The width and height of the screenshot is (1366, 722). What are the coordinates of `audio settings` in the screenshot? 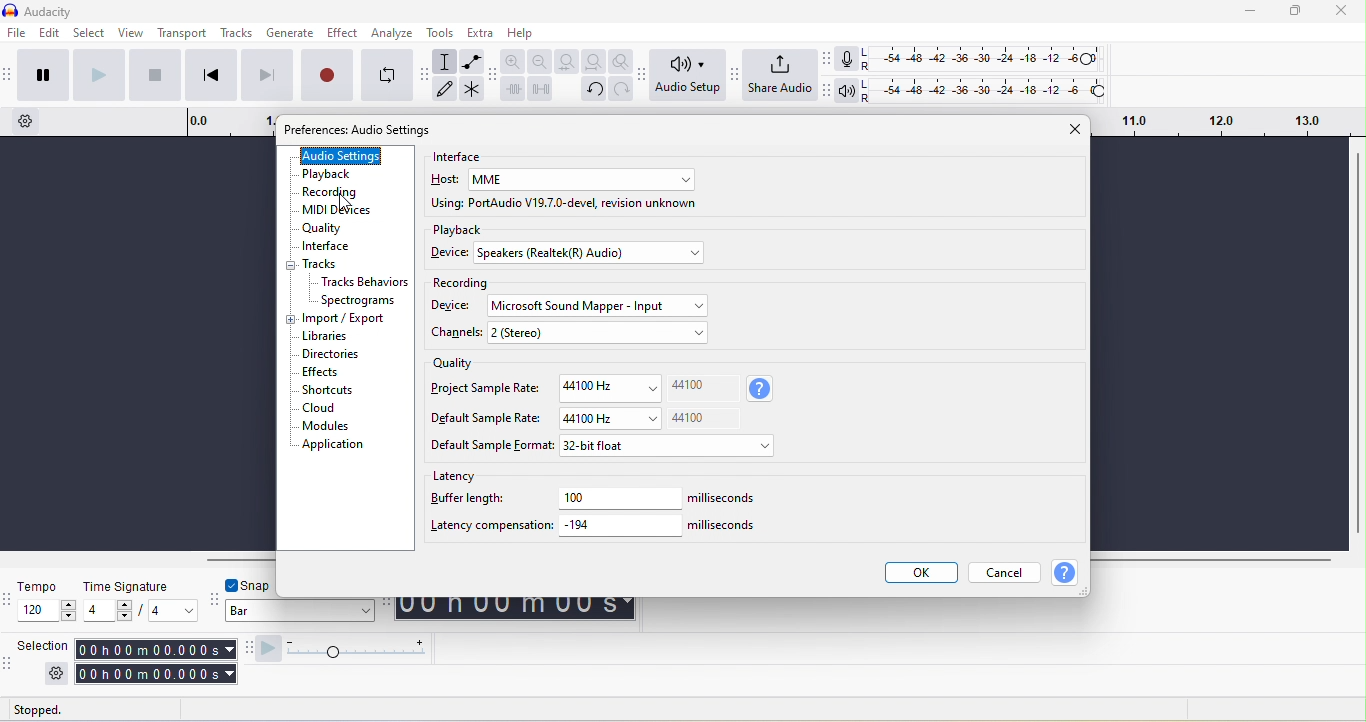 It's located at (348, 155).